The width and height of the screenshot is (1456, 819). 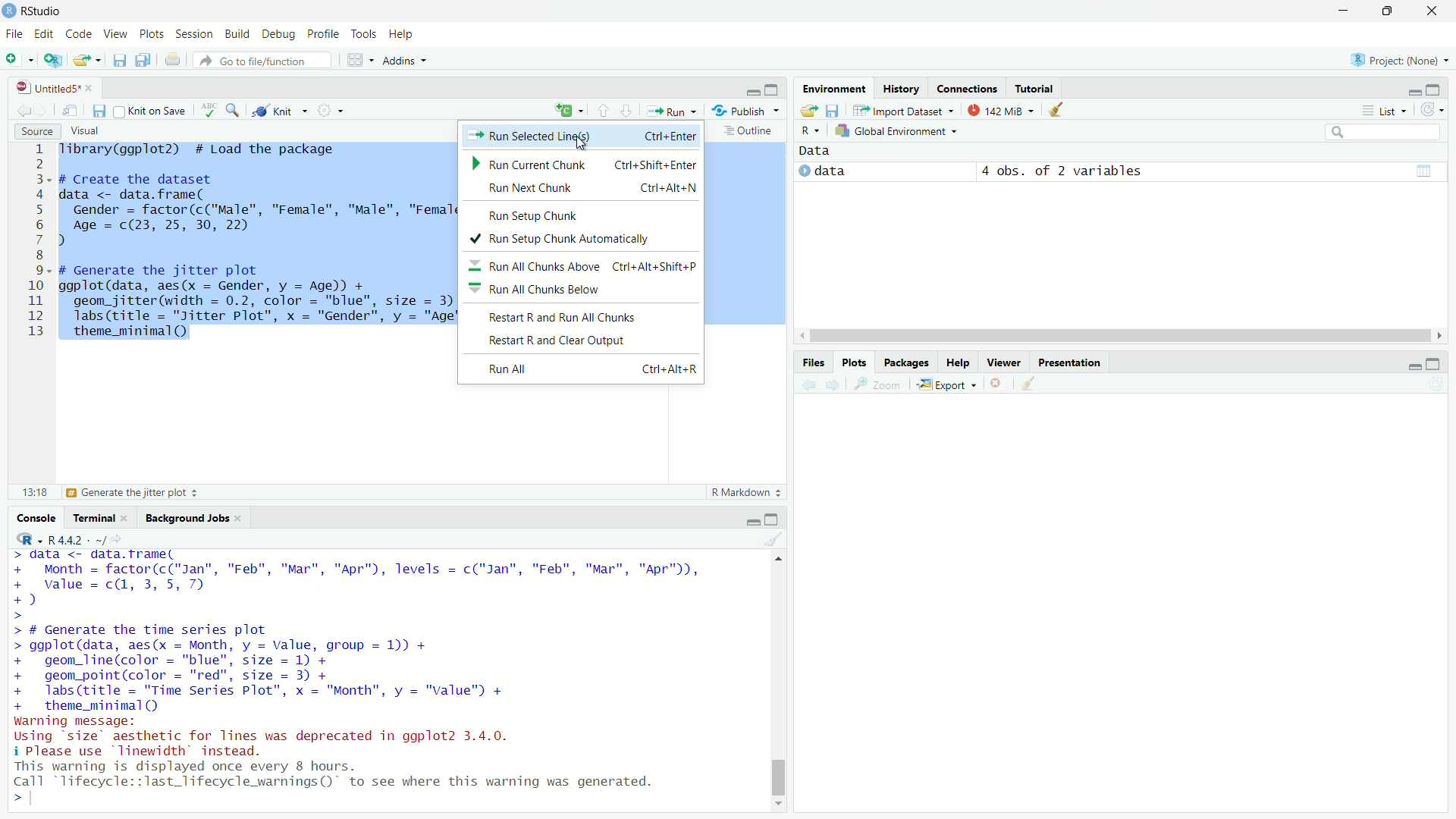 I want to click on 142 MiB, so click(x=1004, y=111).